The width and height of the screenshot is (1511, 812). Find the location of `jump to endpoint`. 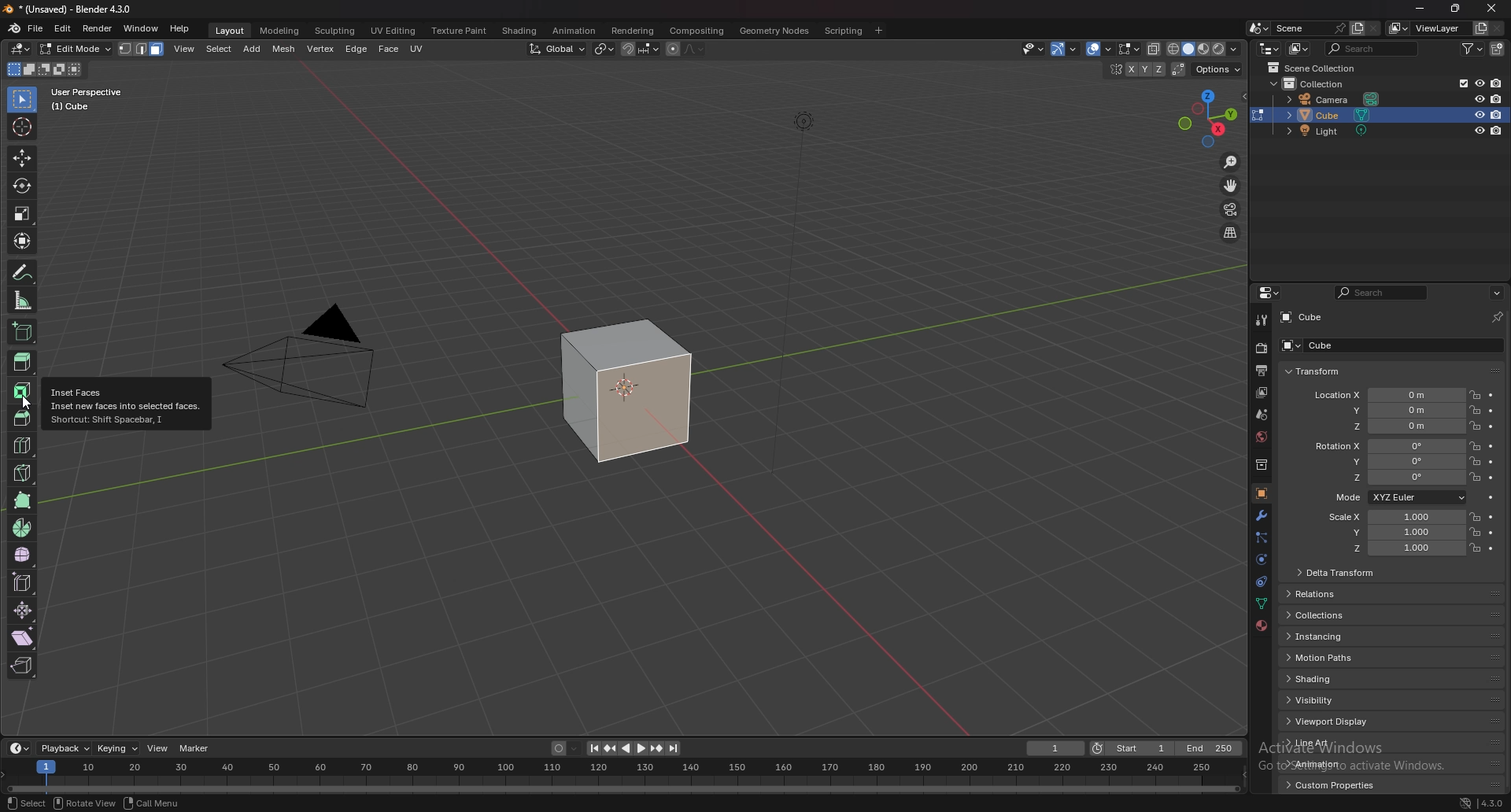

jump to endpoint is located at coordinates (592, 748).